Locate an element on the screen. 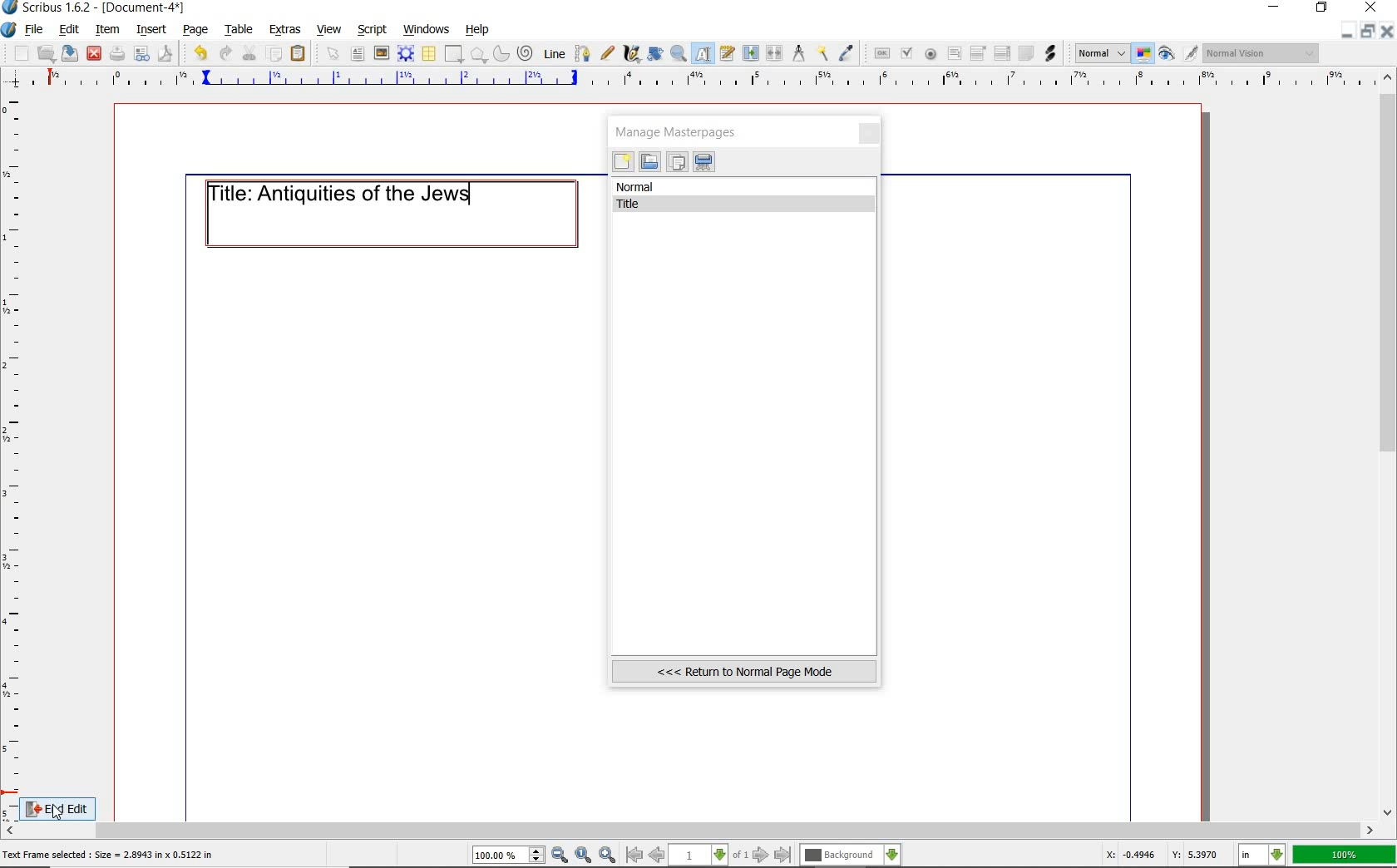 The image size is (1397, 868). manage masterpages is located at coordinates (681, 131).